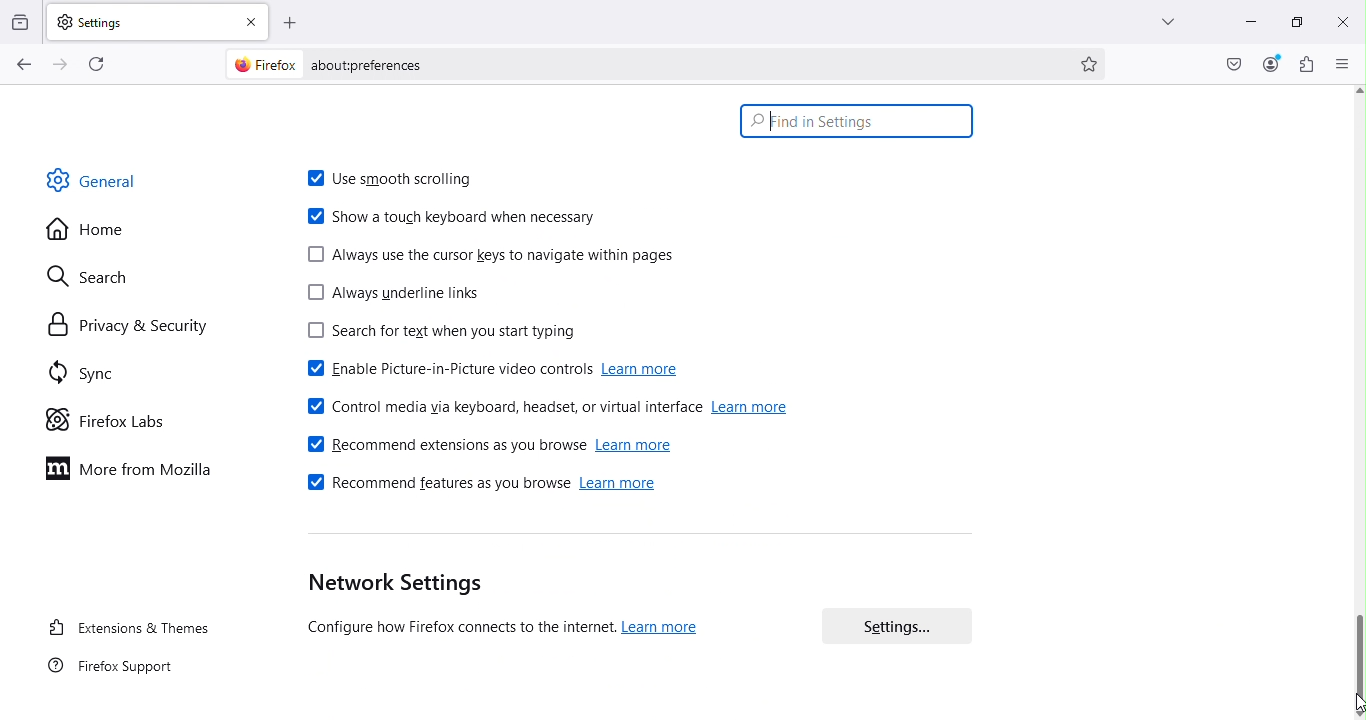 The height and width of the screenshot is (720, 1366). I want to click on List all tabs, so click(1158, 19).